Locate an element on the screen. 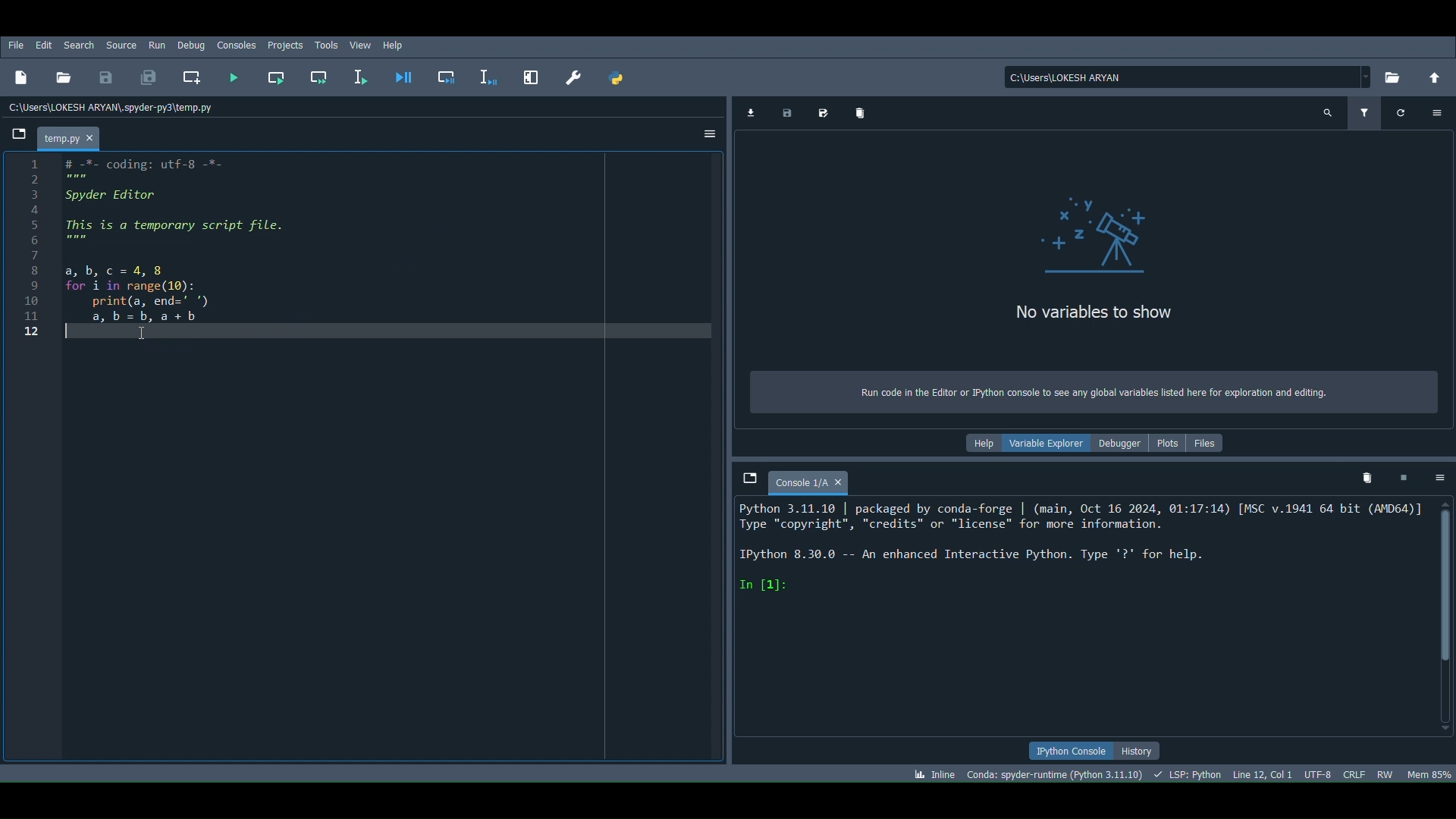  Help is located at coordinates (393, 44).